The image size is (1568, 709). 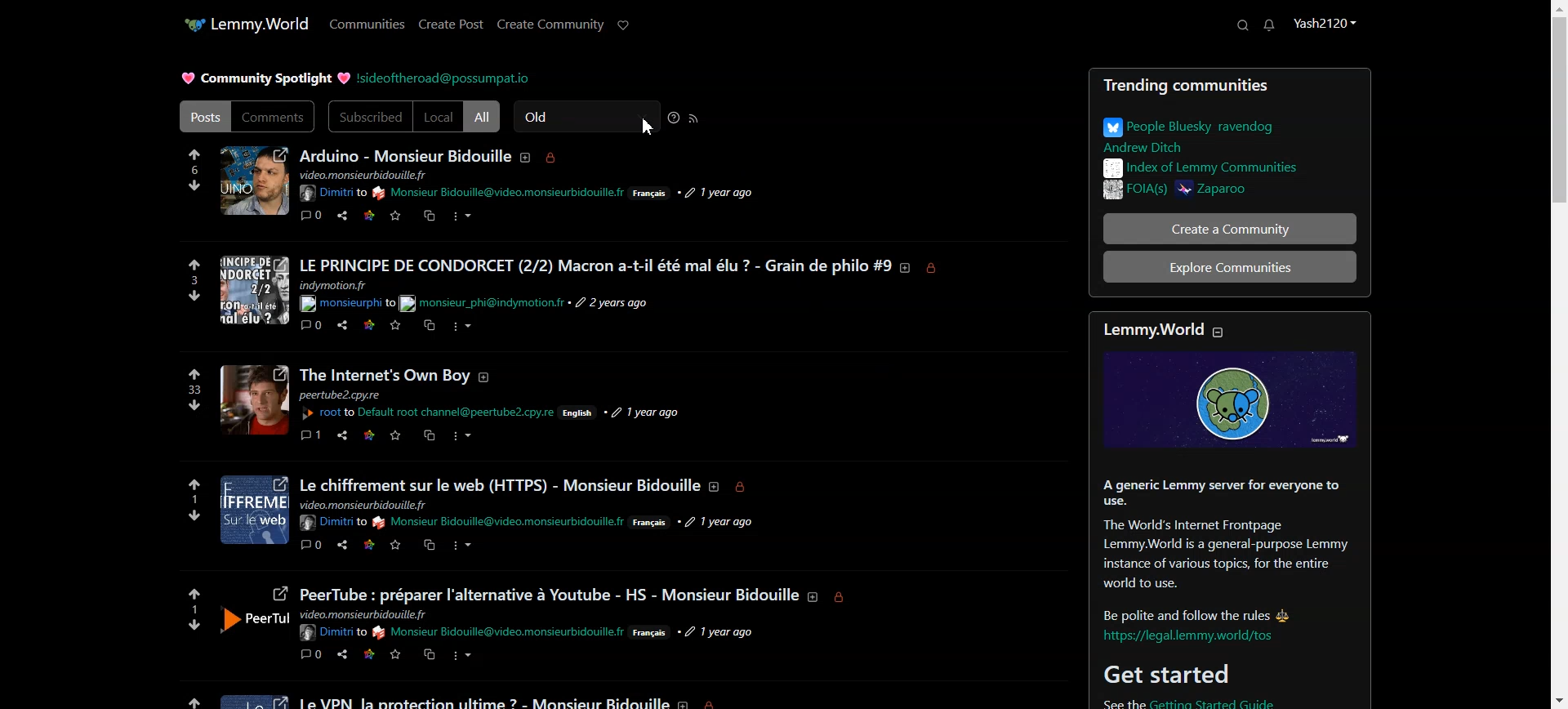 What do you see at coordinates (740, 193) in the screenshot?
I see `1 year ago` at bounding box center [740, 193].